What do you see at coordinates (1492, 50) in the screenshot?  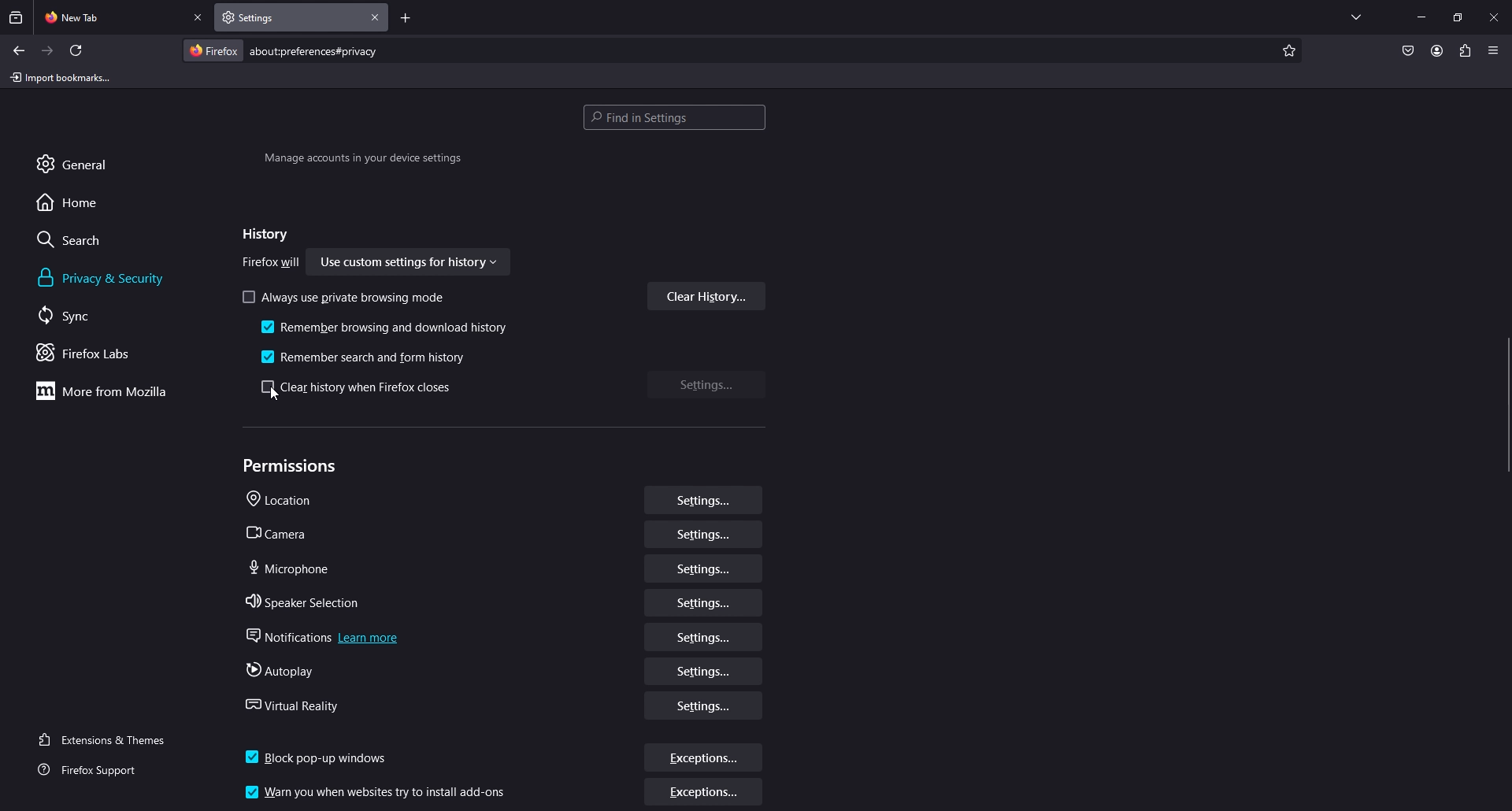 I see `application menu` at bounding box center [1492, 50].